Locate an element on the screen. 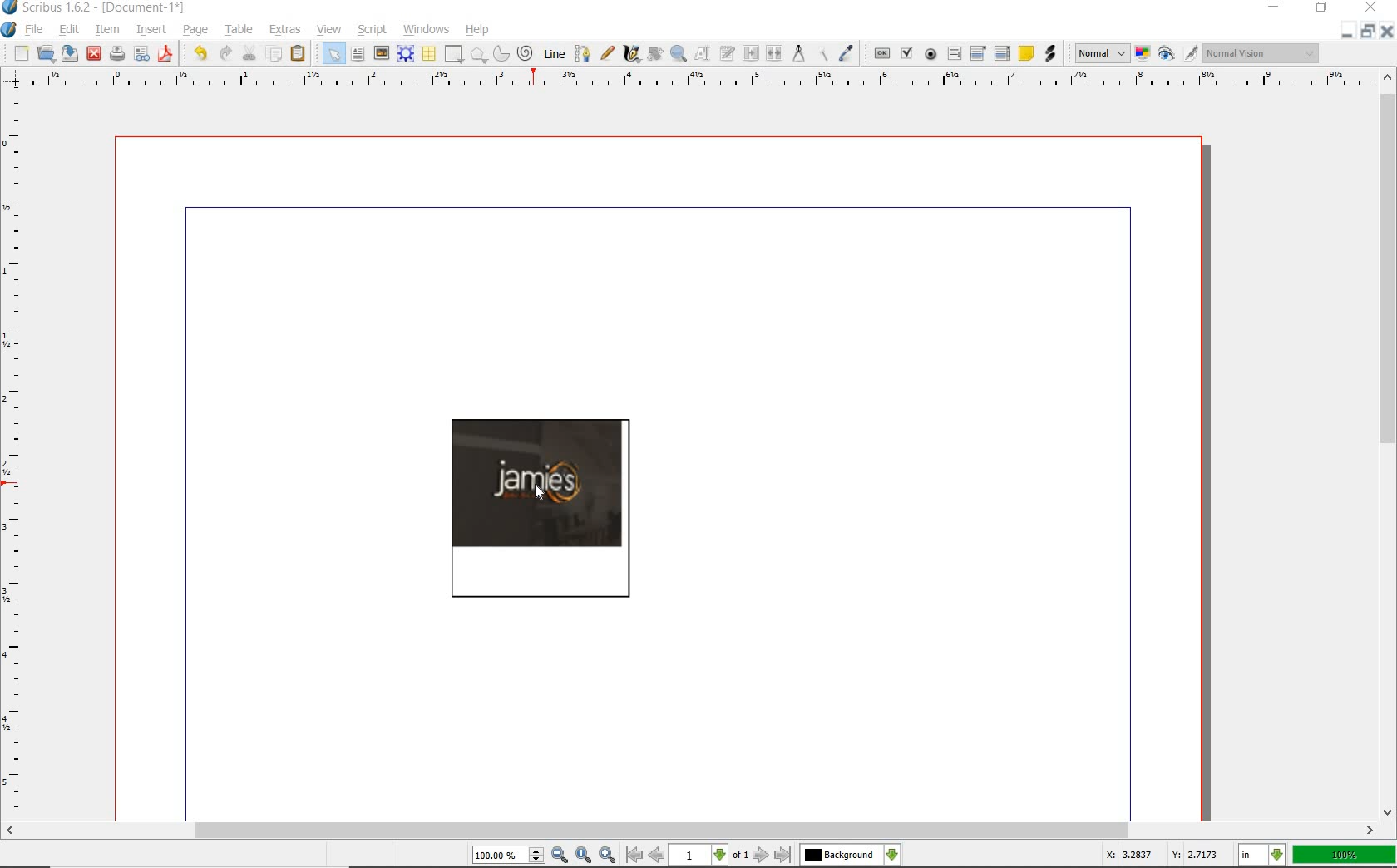 The width and height of the screenshot is (1397, 868). preflight verifier is located at coordinates (143, 54).